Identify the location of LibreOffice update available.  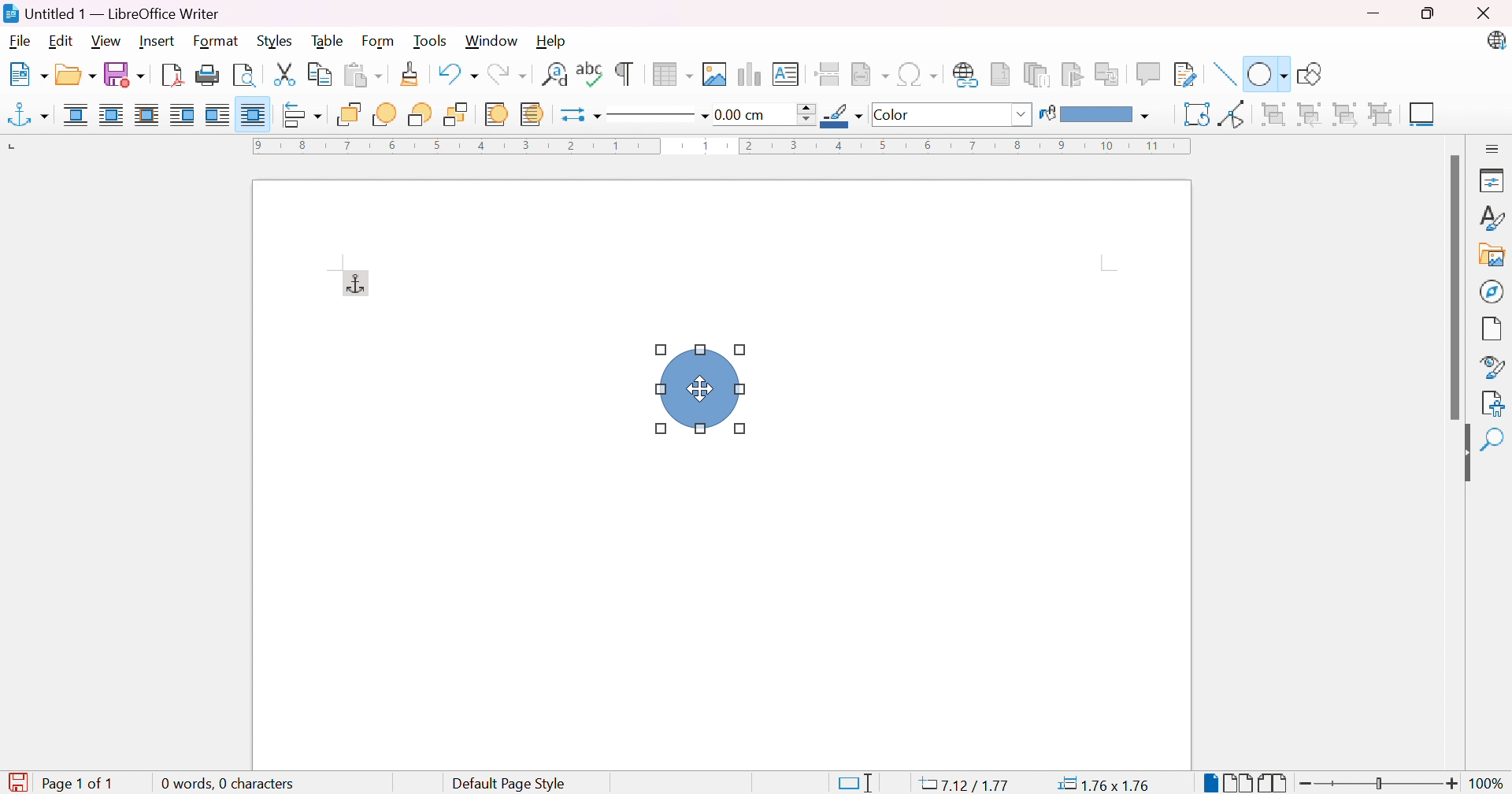
(1495, 40).